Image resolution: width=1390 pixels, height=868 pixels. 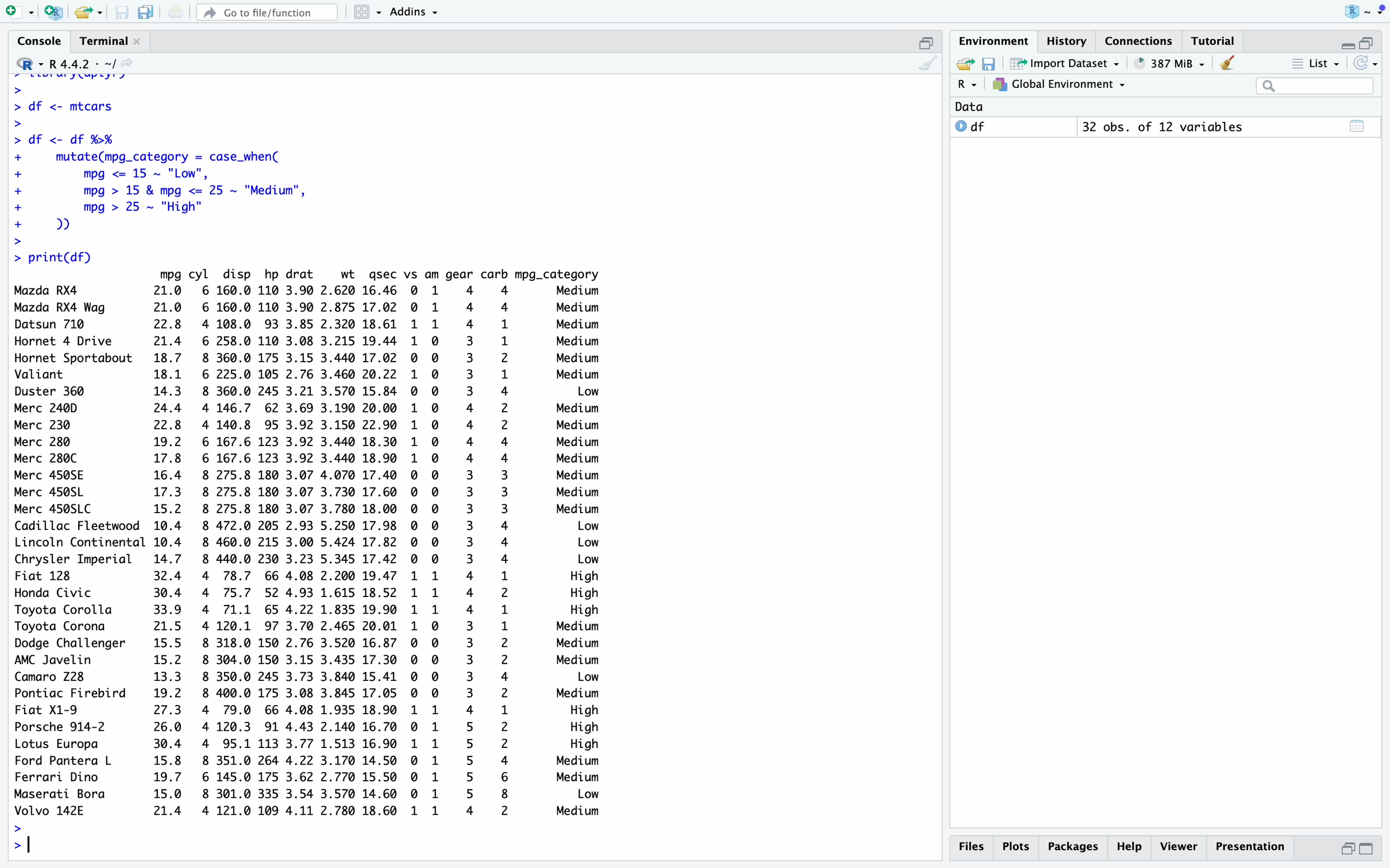 I want to click on clean, so click(x=1226, y=63).